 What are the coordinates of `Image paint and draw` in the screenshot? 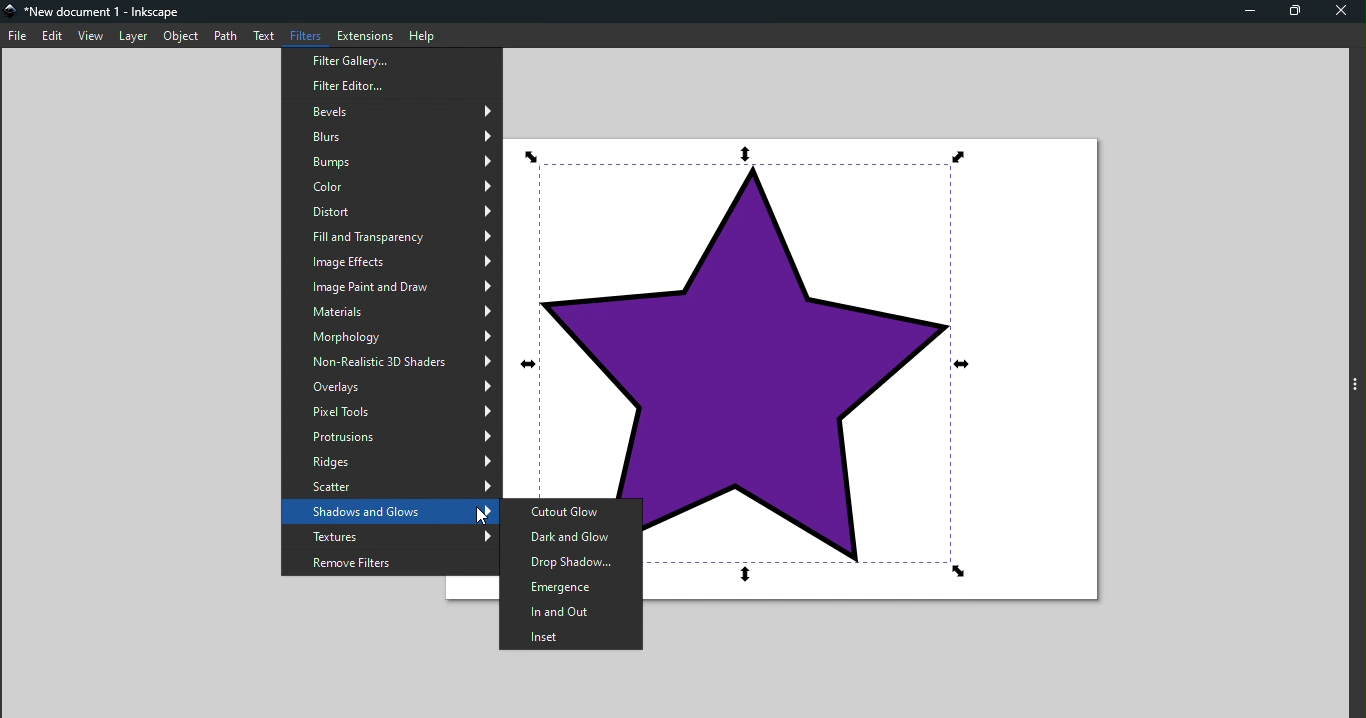 It's located at (393, 289).